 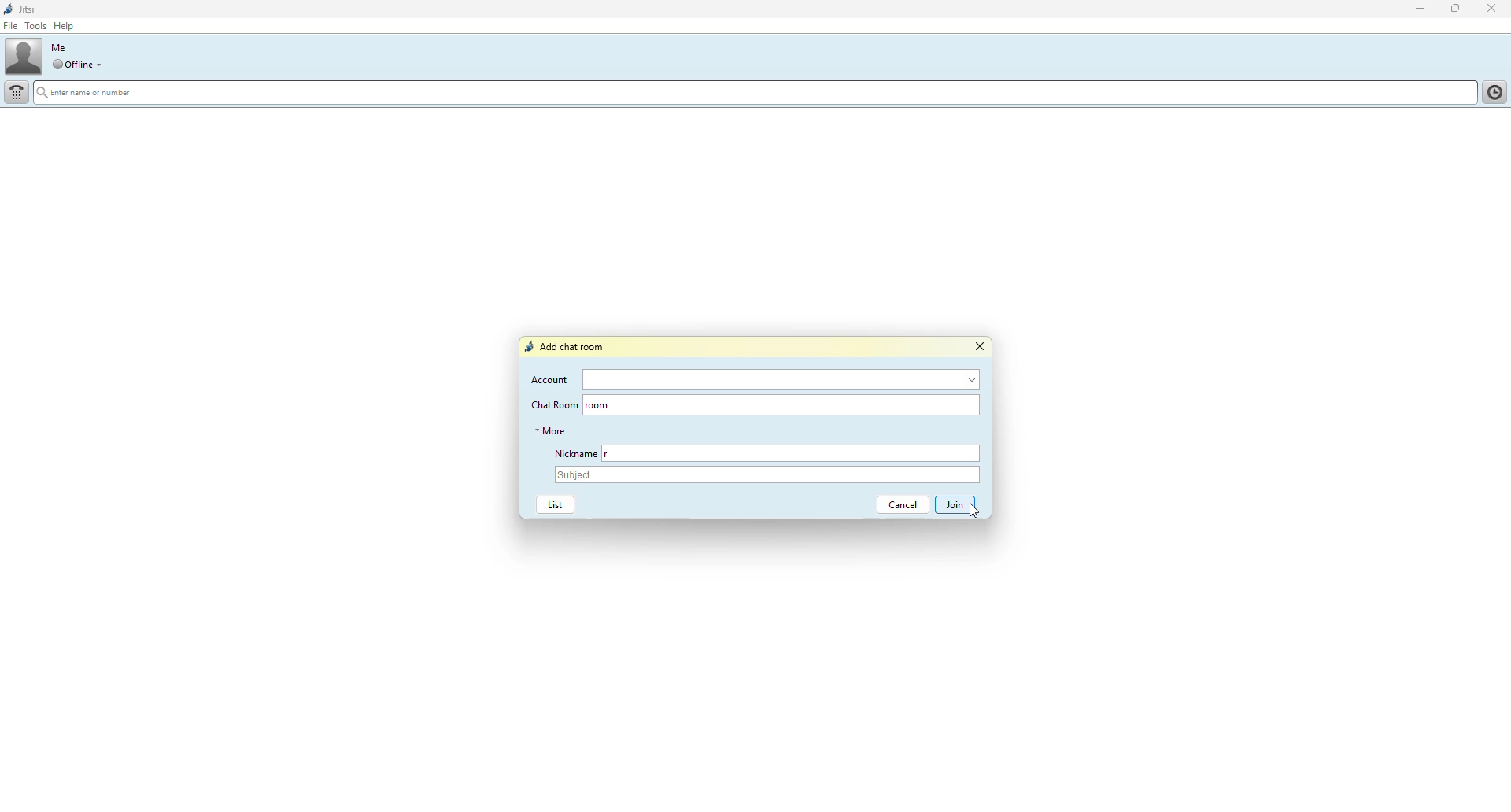 What do you see at coordinates (612, 454) in the screenshot?
I see `r` at bounding box center [612, 454].